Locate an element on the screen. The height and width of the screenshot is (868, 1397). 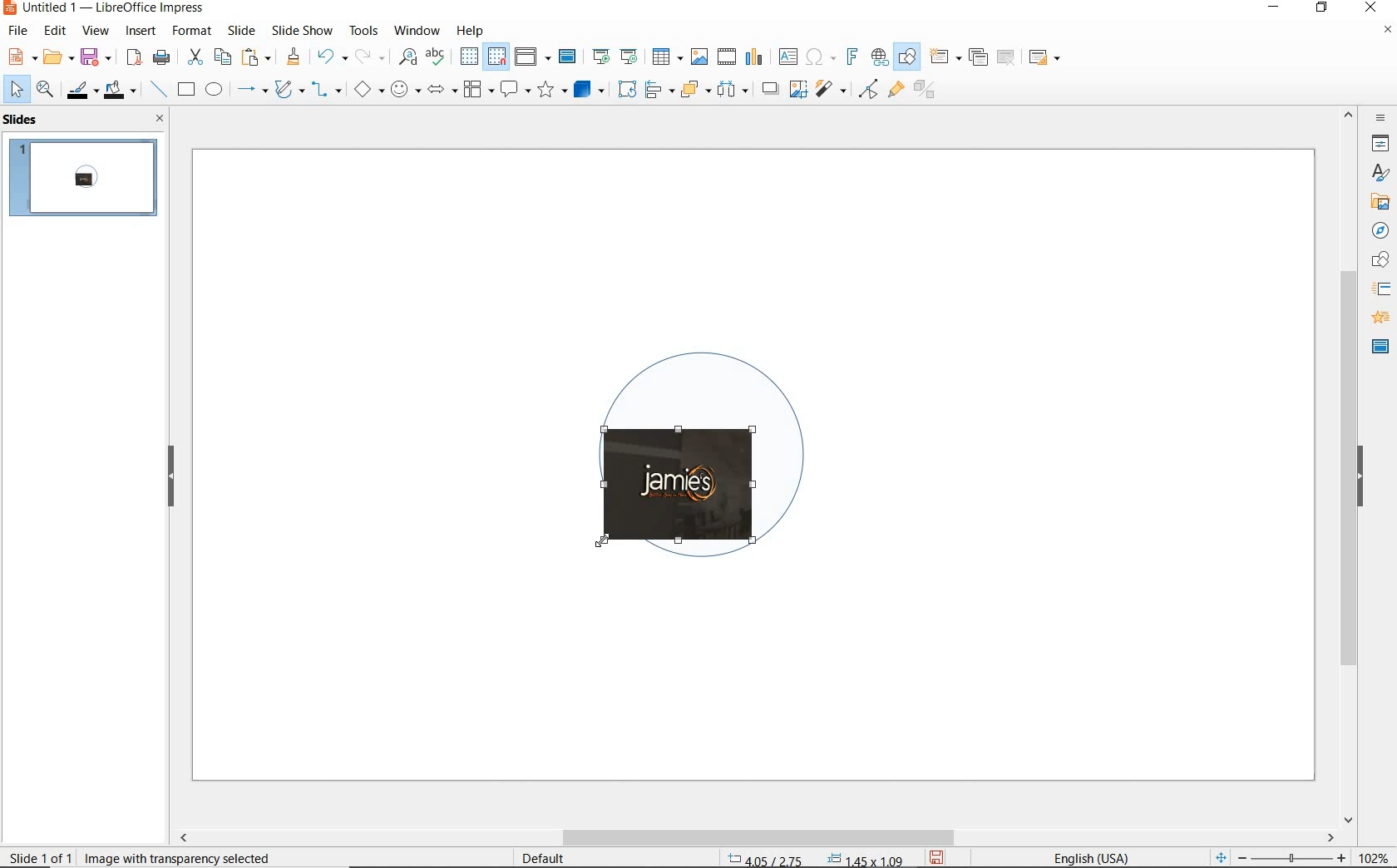
print is located at coordinates (161, 56).